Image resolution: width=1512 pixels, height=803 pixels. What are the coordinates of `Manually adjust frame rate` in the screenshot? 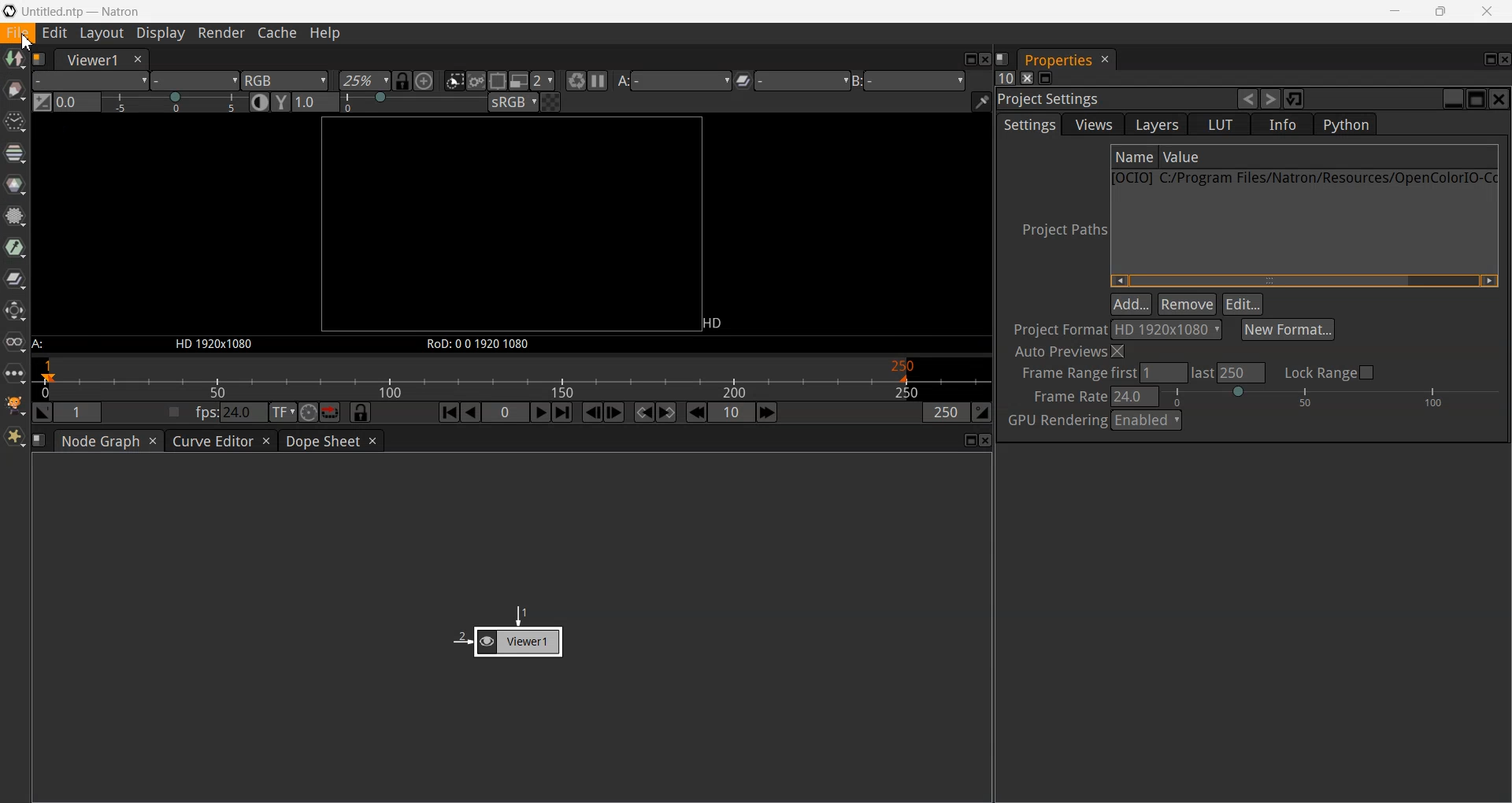 It's located at (1331, 396).